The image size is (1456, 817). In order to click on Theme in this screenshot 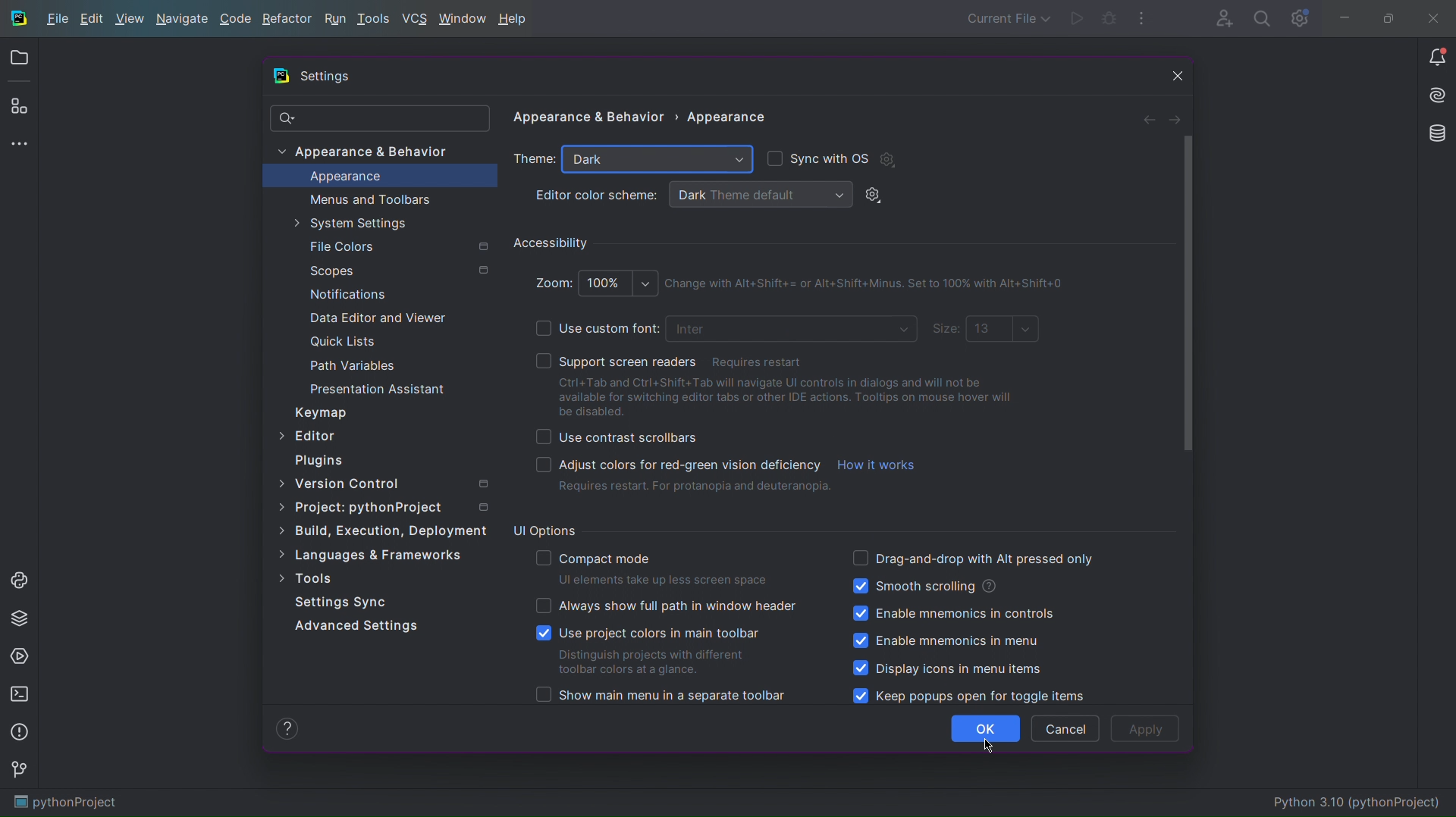, I will do `click(535, 160)`.